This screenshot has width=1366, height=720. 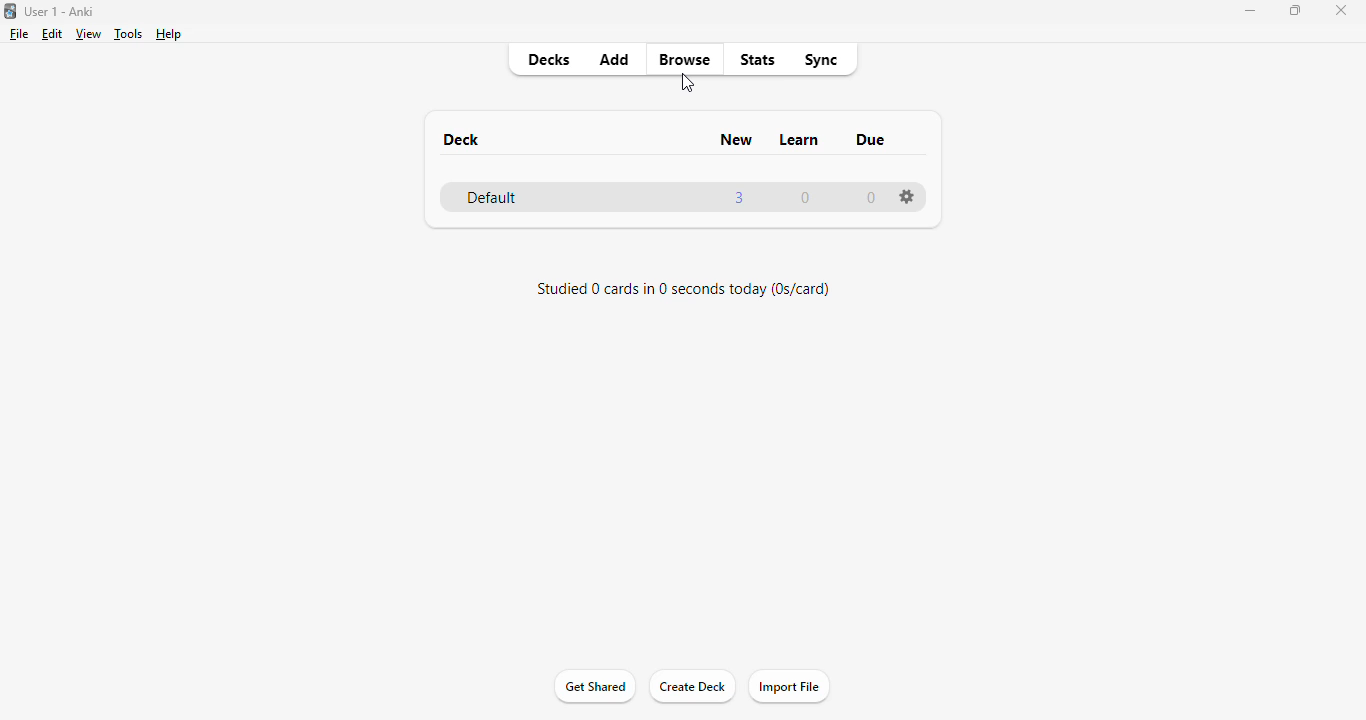 I want to click on due, so click(x=870, y=139).